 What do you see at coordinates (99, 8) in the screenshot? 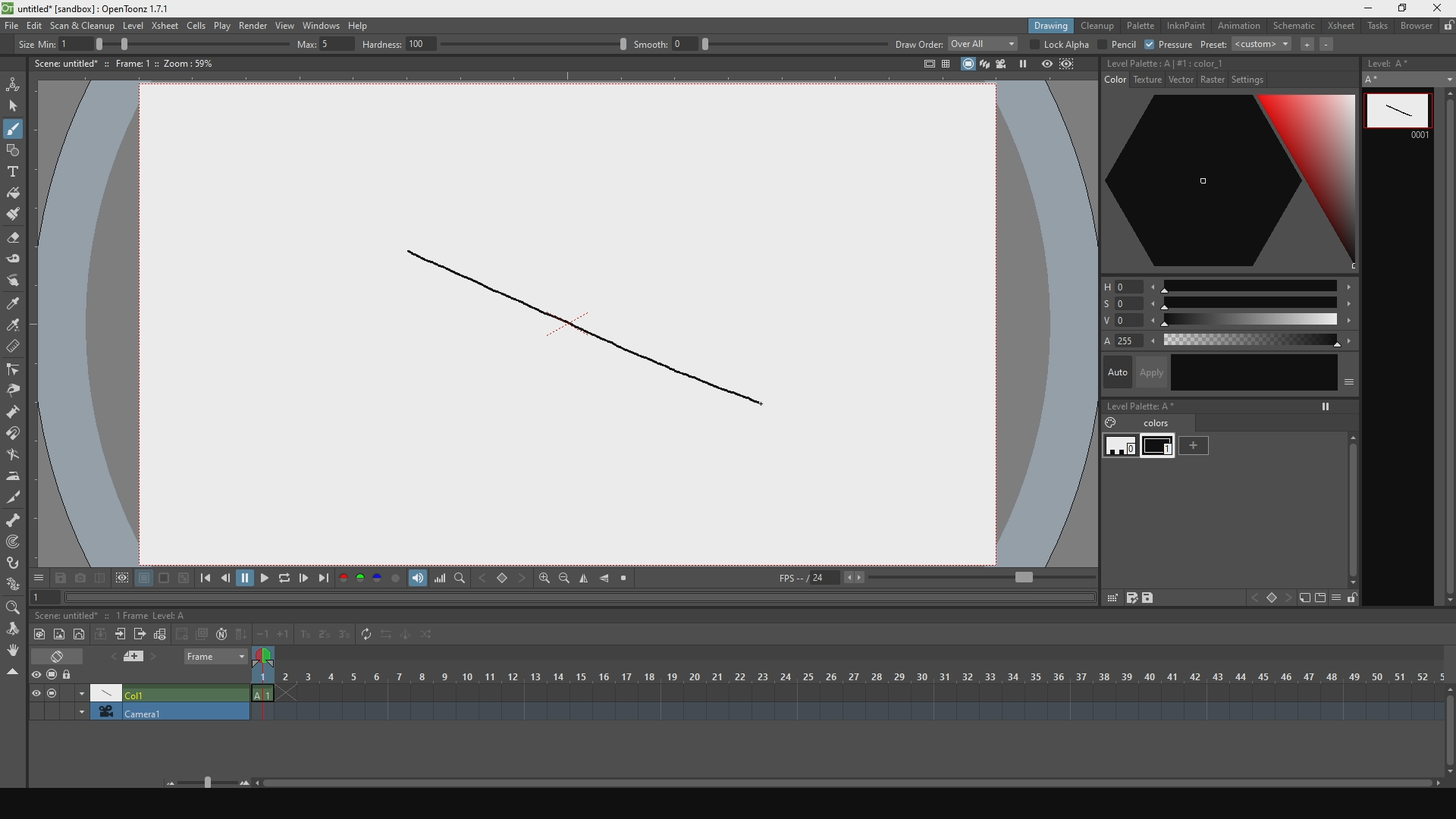
I see `title` at bounding box center [99, 8].